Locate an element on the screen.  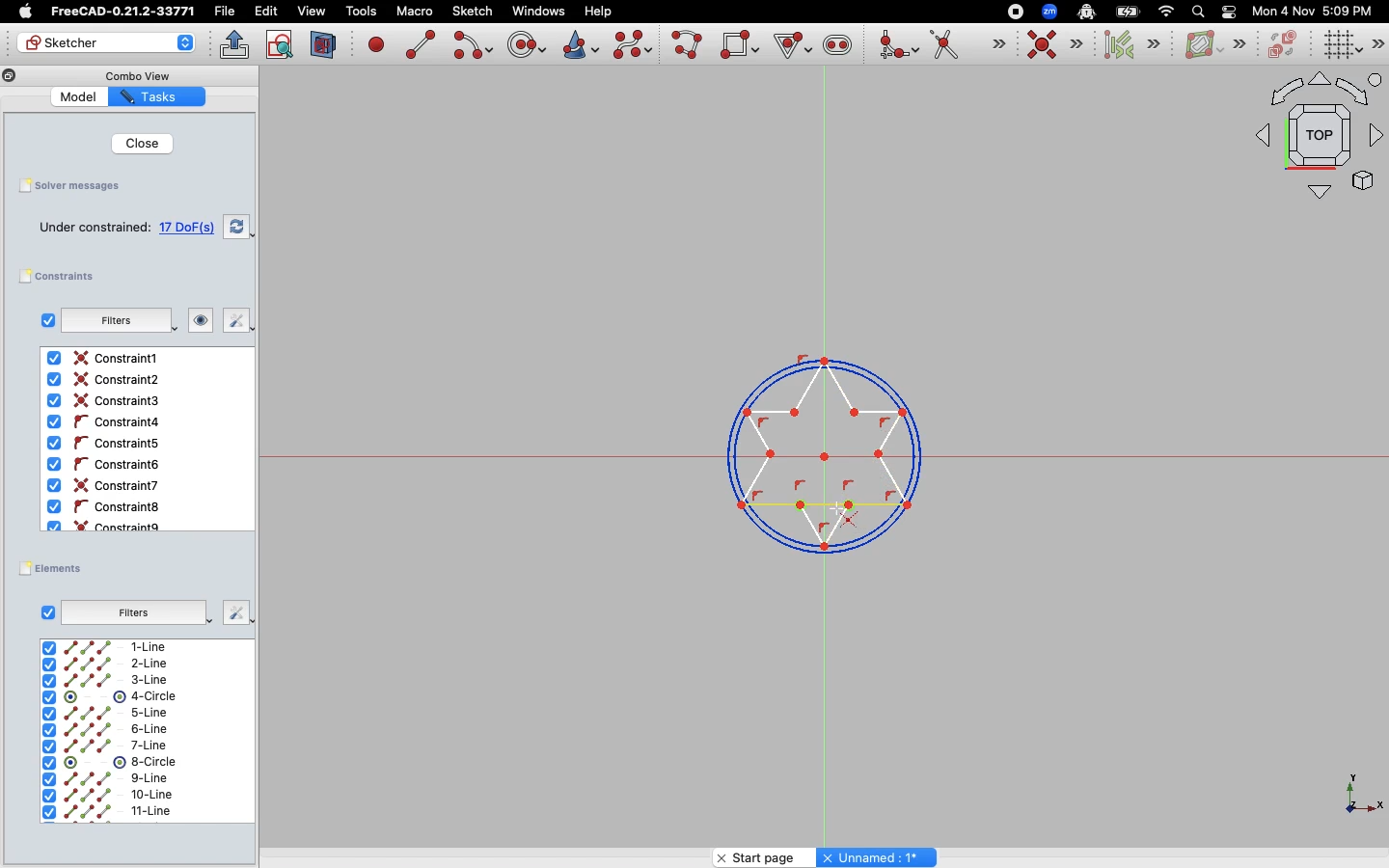
Create point is located at coordinates (377, 43).